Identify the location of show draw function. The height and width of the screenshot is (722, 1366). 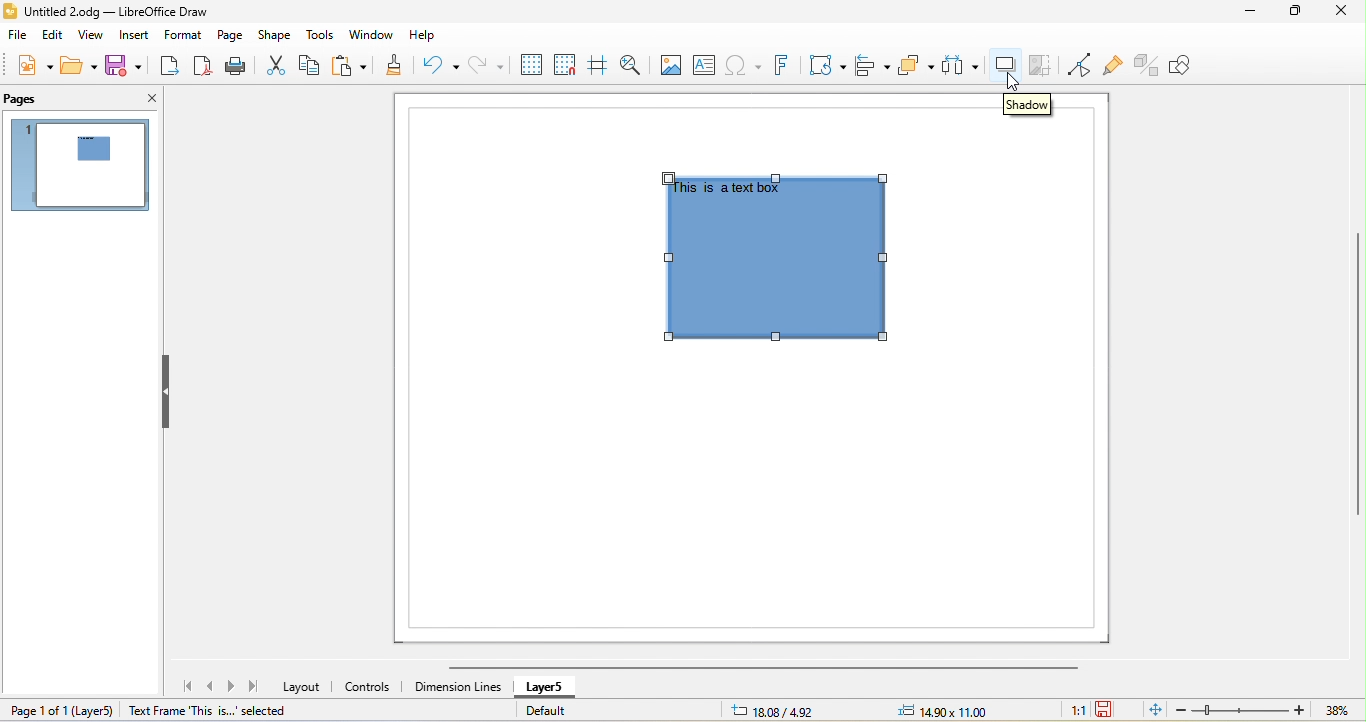
(1191, 66).